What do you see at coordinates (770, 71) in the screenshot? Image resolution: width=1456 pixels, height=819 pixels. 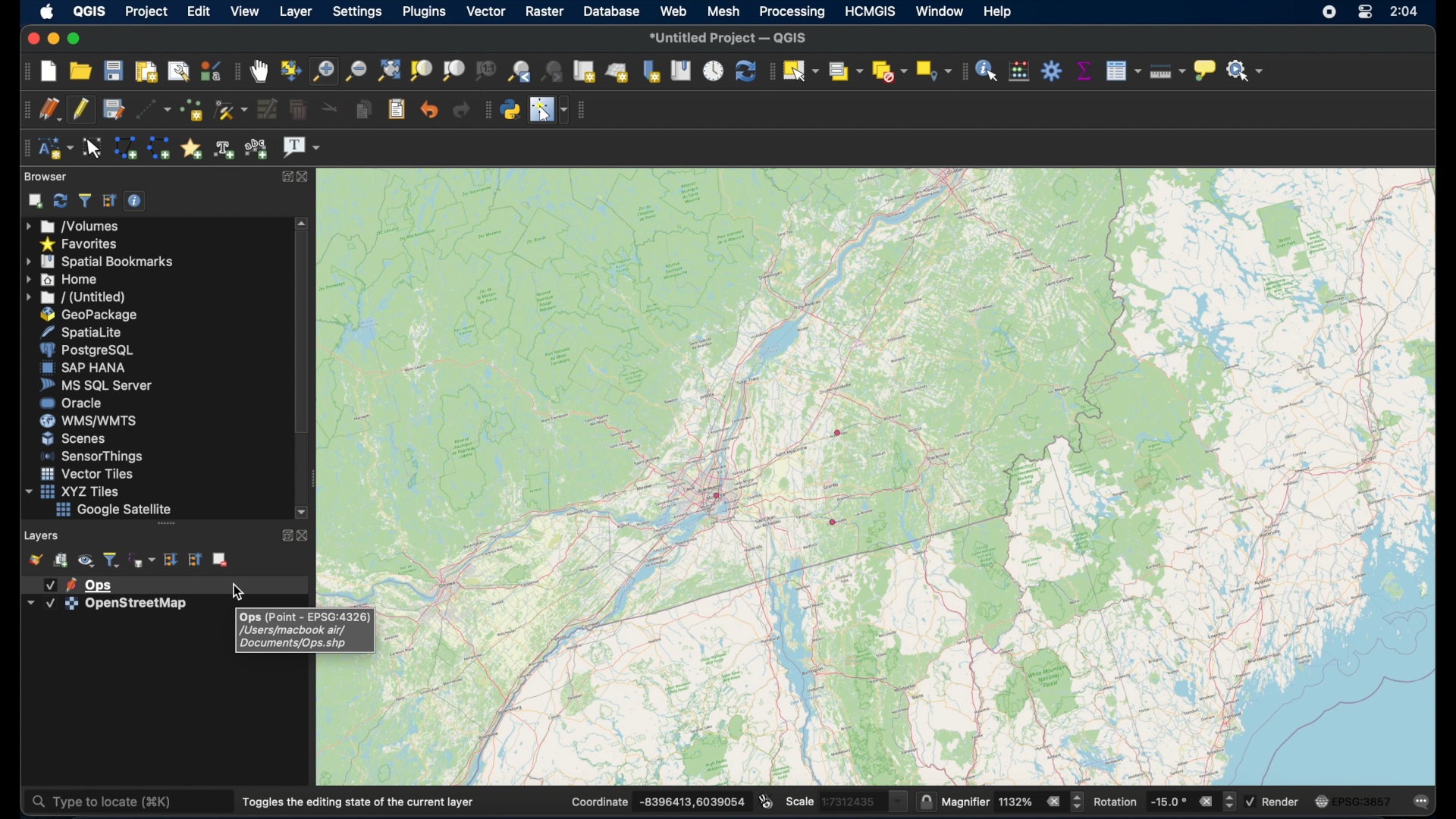 I see `selection toolbar` at bounding box center [770, 71].